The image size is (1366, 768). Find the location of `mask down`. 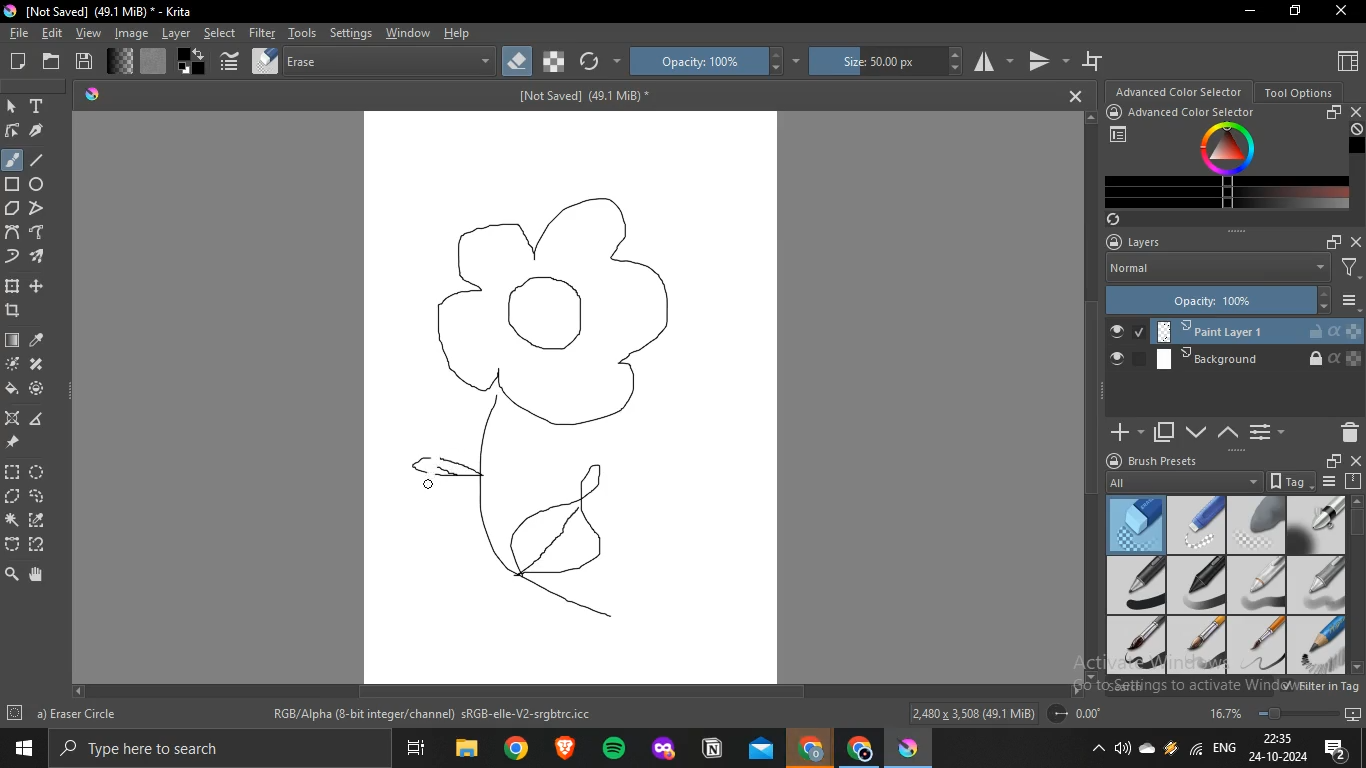

mask down is located at coordinates (1196, 431).